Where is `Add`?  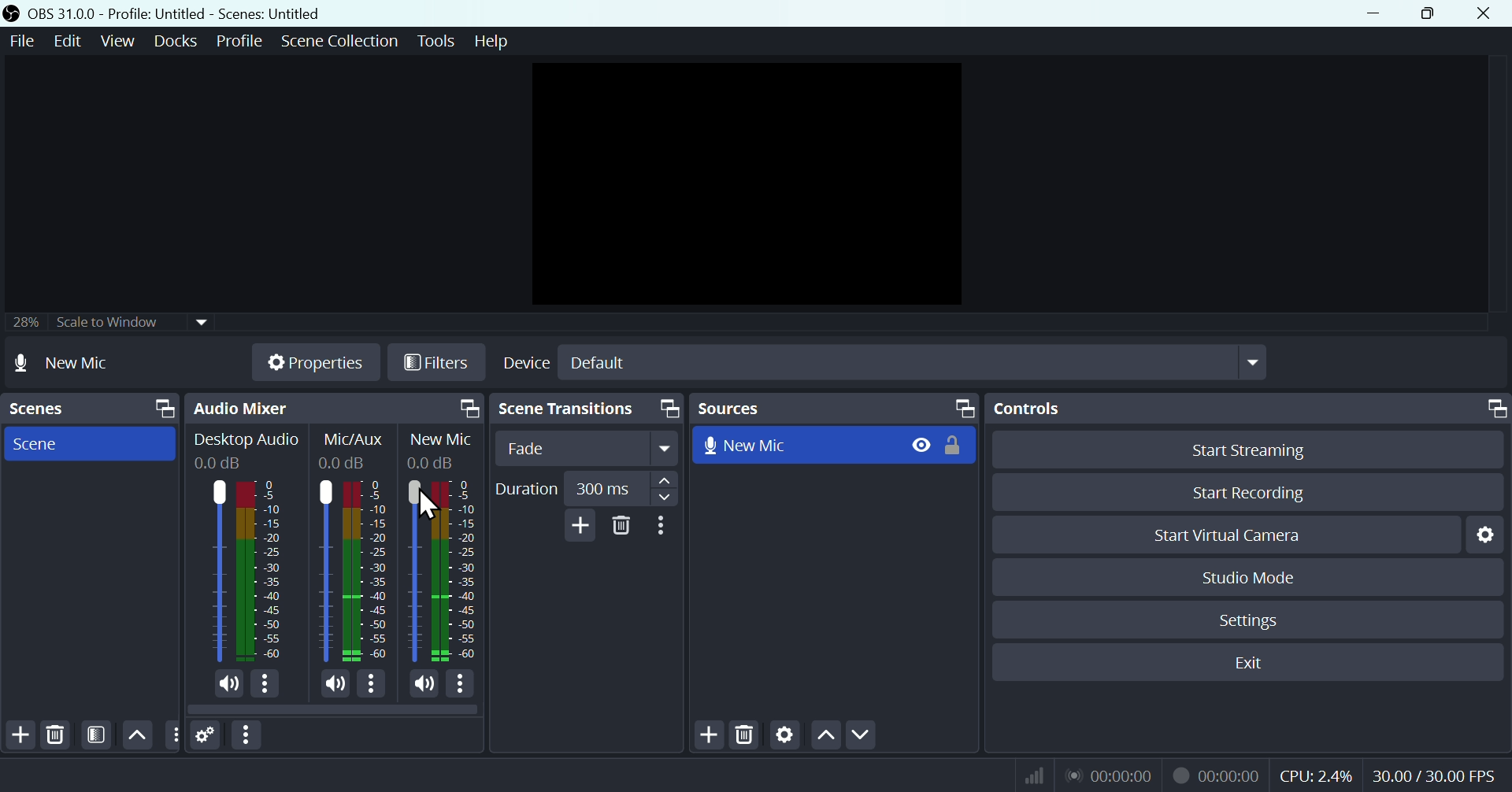
Add is located at coordinates (577, 525).